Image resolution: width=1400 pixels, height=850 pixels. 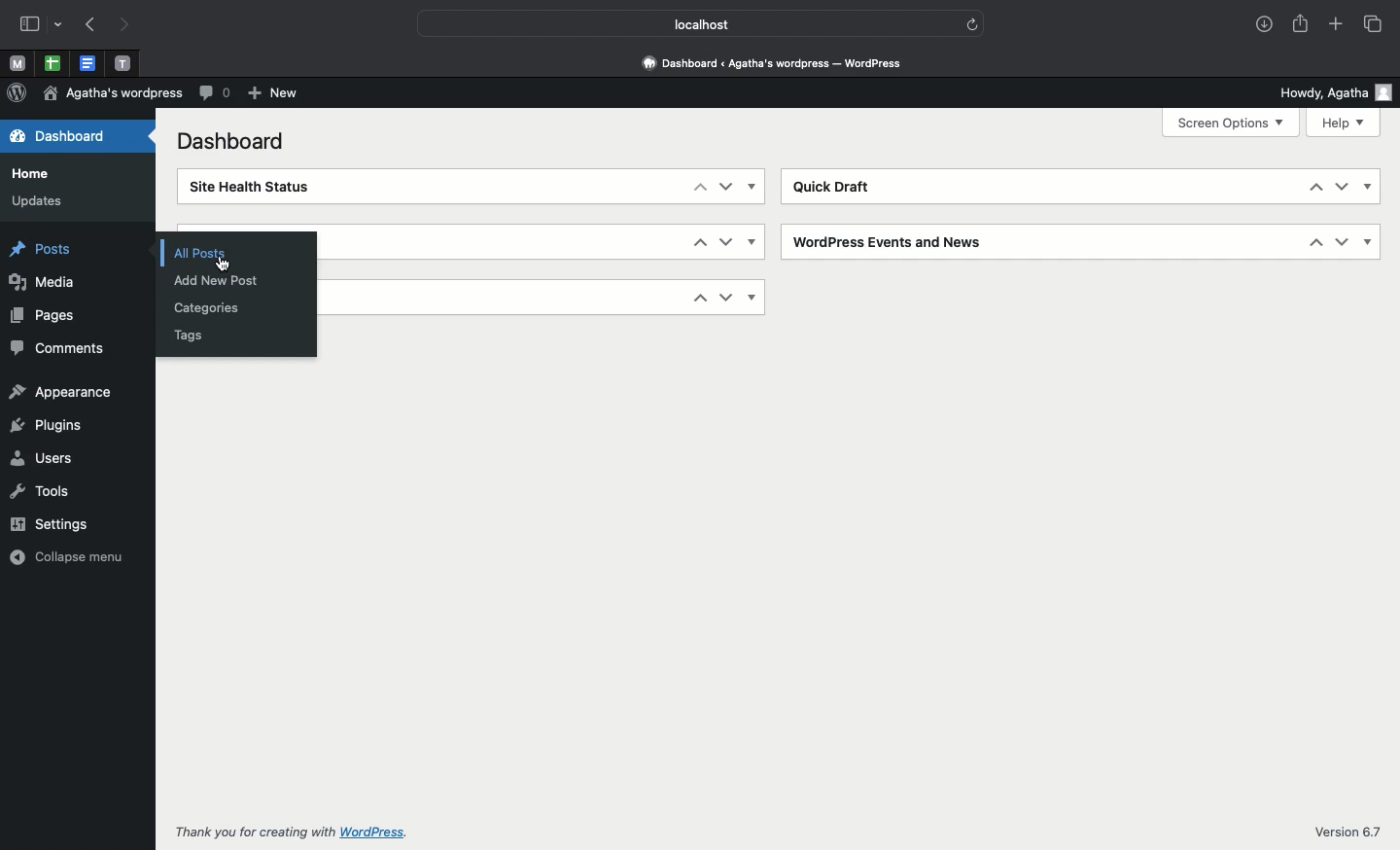 What do you see at coordinates (688, 299) in the screenshot?
I see `Up` at bounding box center [688, 299].